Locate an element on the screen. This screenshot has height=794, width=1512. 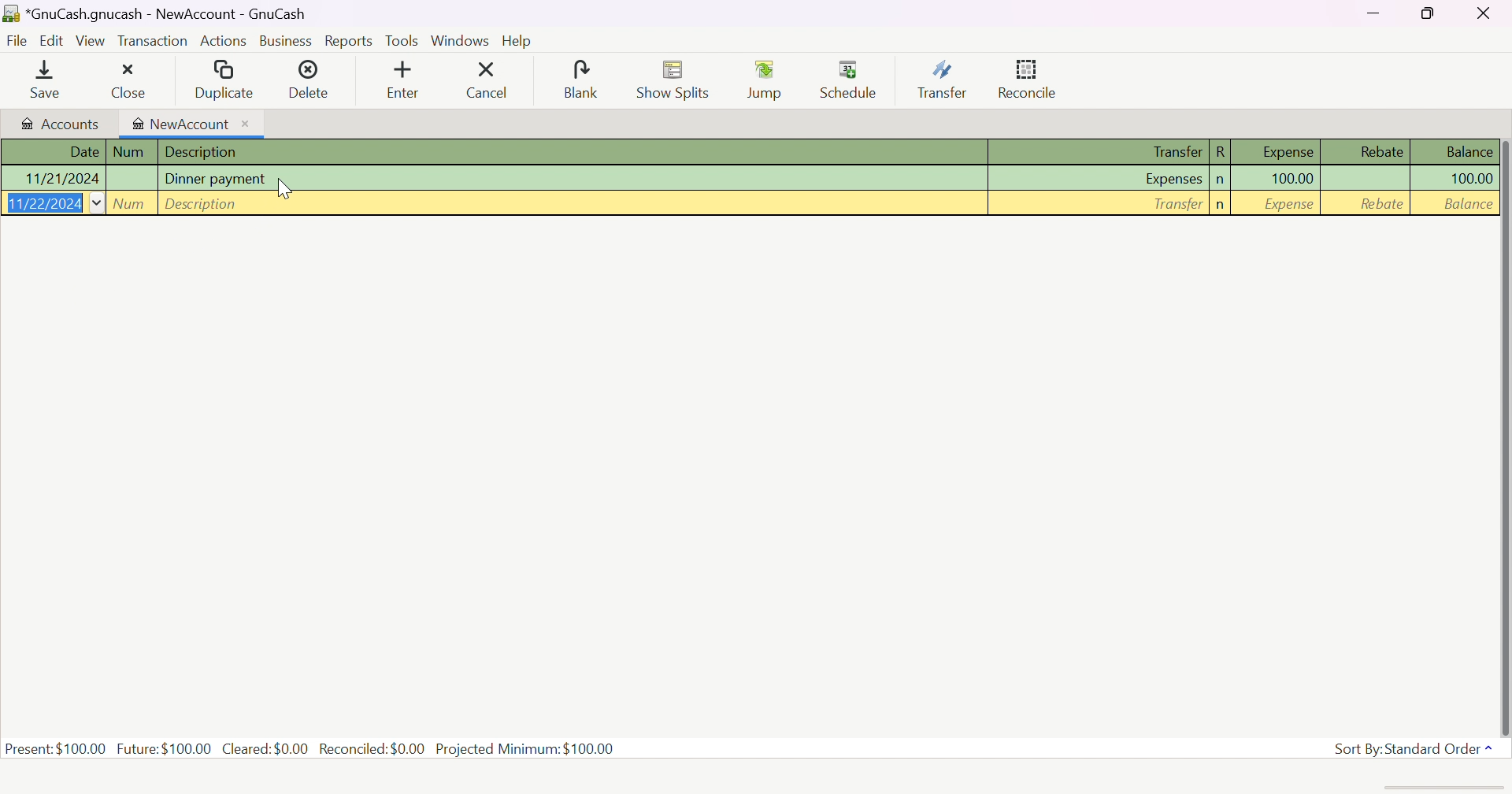
Enter is located at coordinates (403, 82).